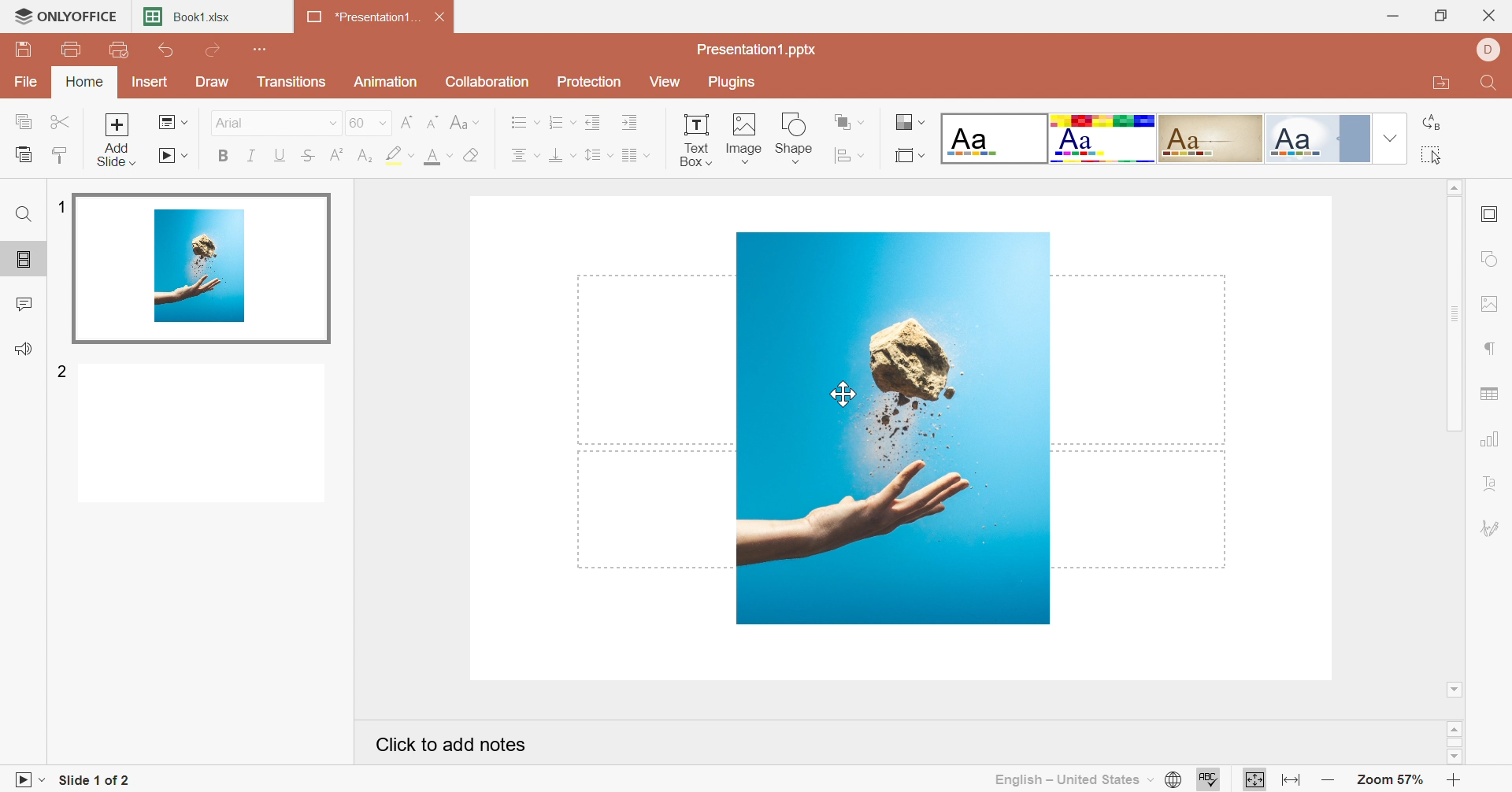 The width and height of the screenshot is (1512, 792). Describe the element at coordinates (1177, 779) in the screenshot. I see `Set document language` at that location.